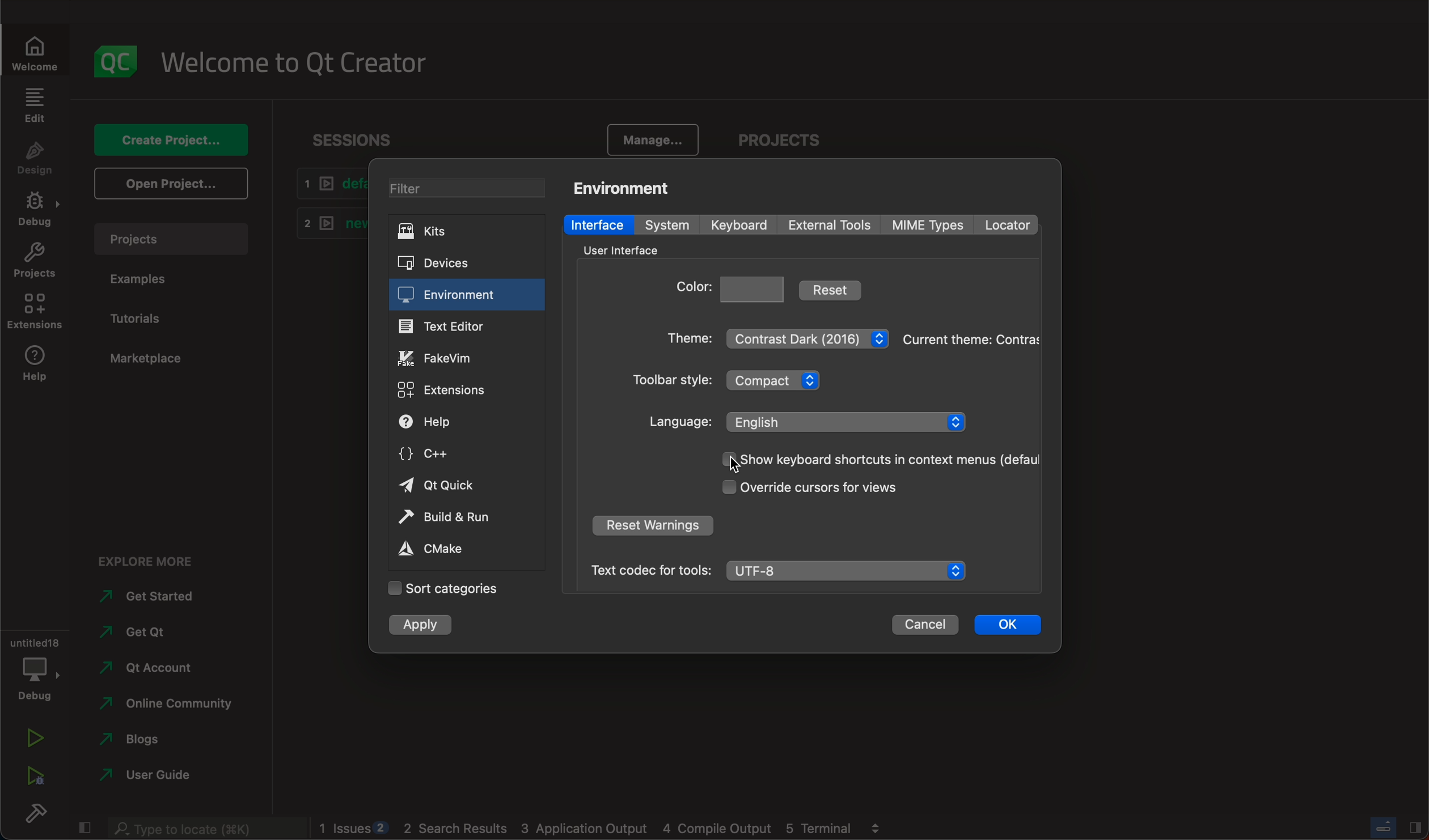 The width and height of the screenshot is (1429, 840). What do you see at coordinates (449, 358) in the screenshot?
I see `fake vim` at bounding box center [449, 358].